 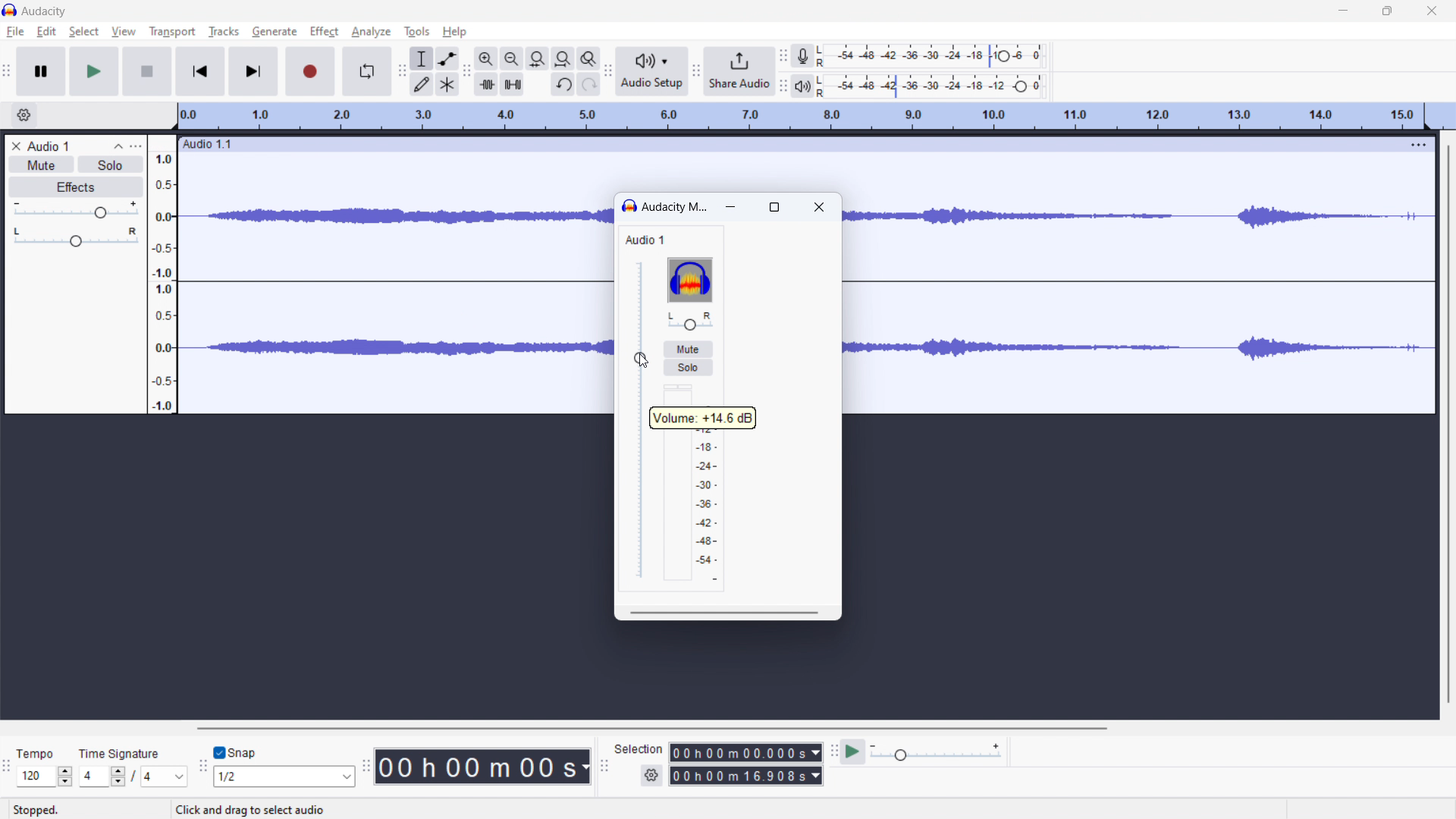 What do you see at coordinates (1345, 10) in the screenshot?
I see `minimize` at bounding box center [1345, 10].